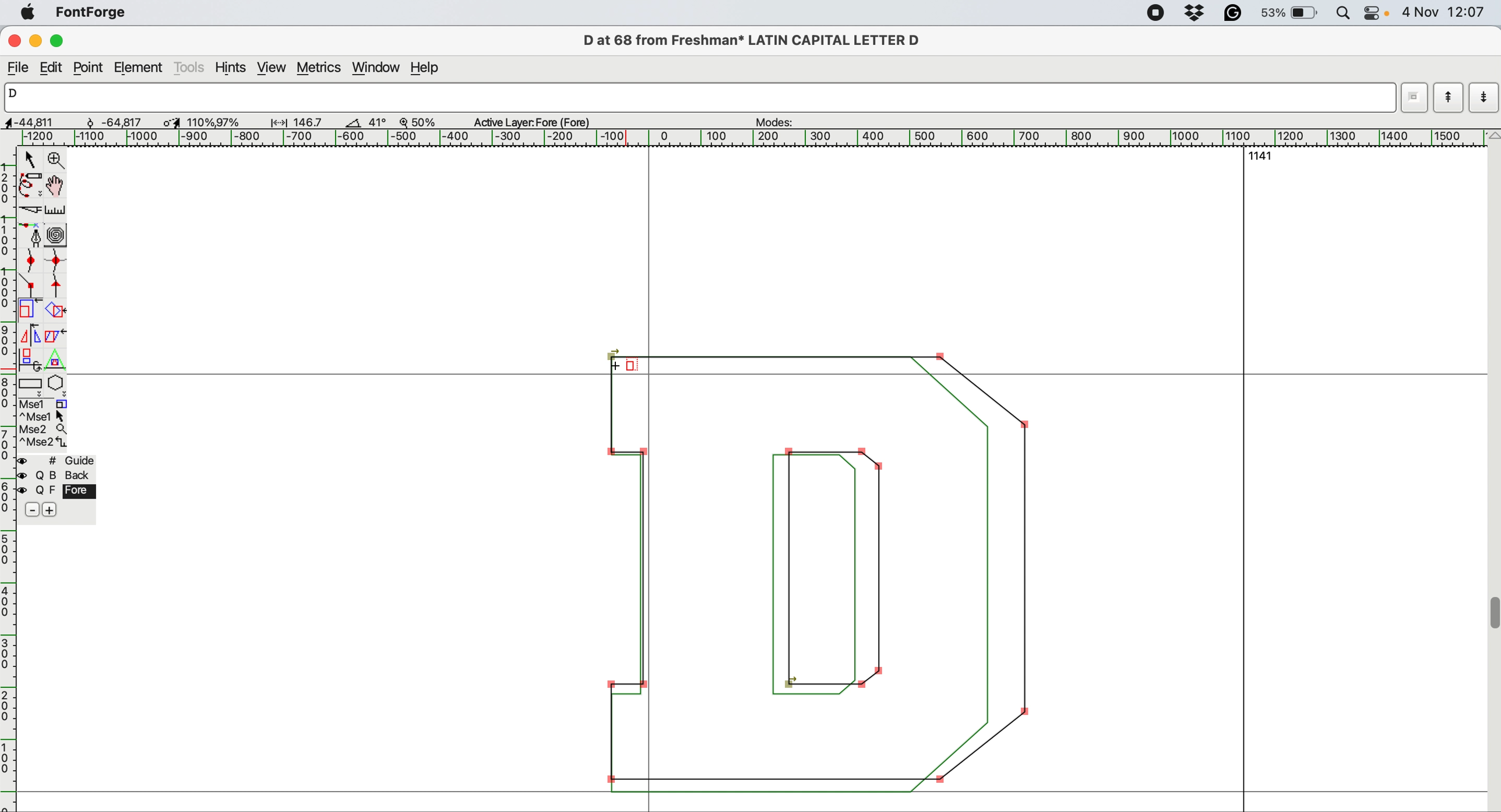 Image resolution: width=1501 pixels, height=812 pixels. What do you see at coordinates (378, 69) in the screenshot?
I see `window` at bounding box center [378, 69].